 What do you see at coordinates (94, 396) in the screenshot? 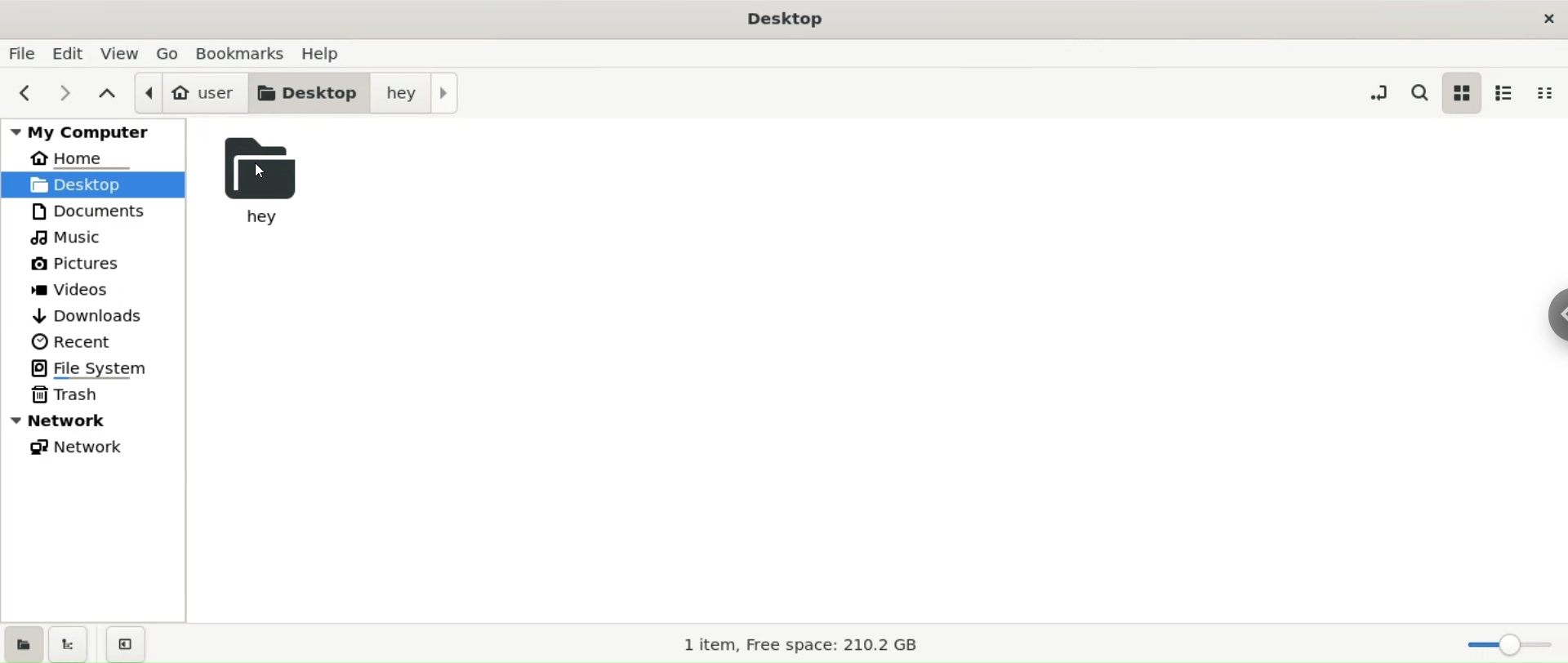
I see `trash` at bounding box center [94, 396].